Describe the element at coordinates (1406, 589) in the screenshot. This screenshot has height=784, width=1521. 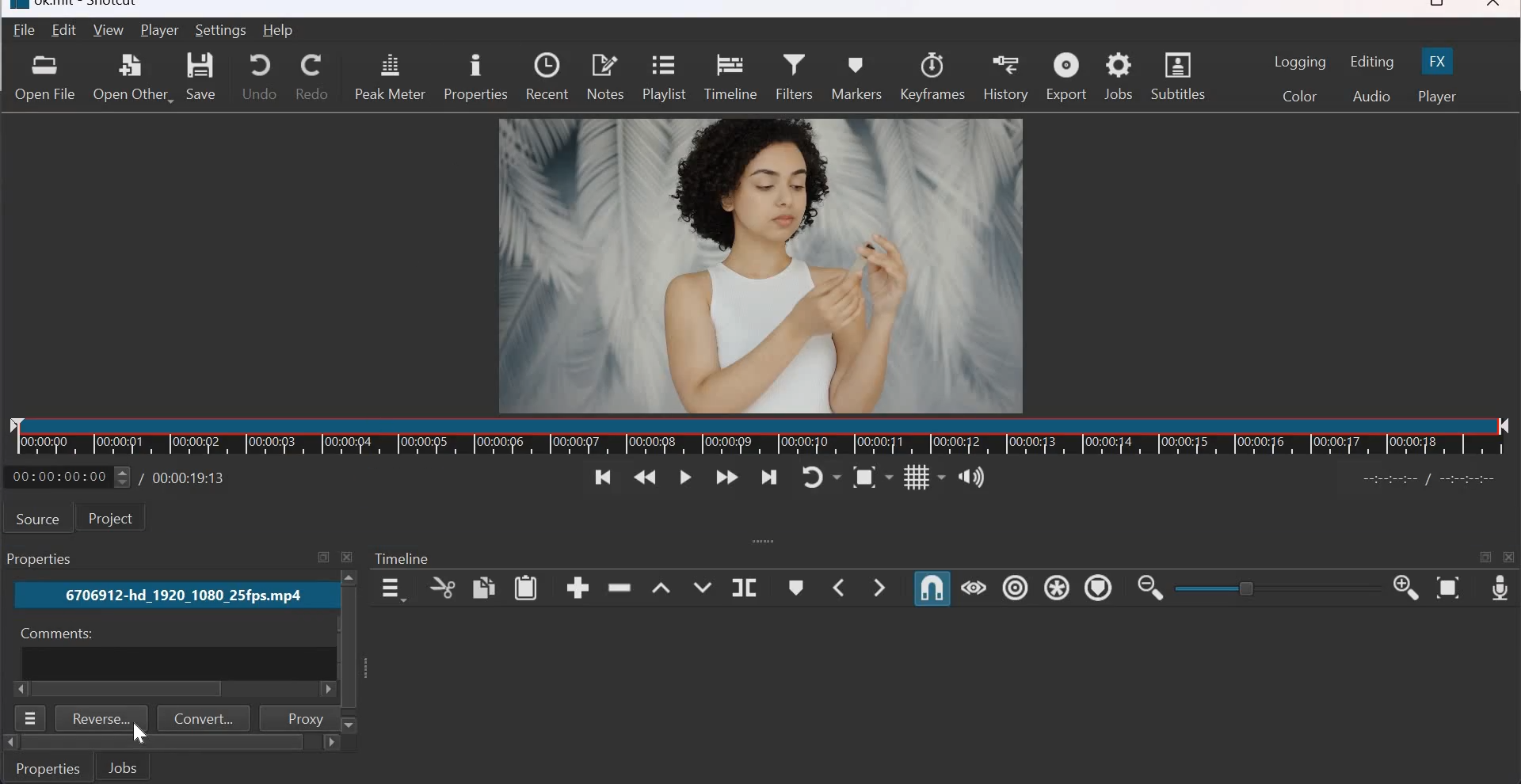
I see `Zoom Timeline in` at that location.